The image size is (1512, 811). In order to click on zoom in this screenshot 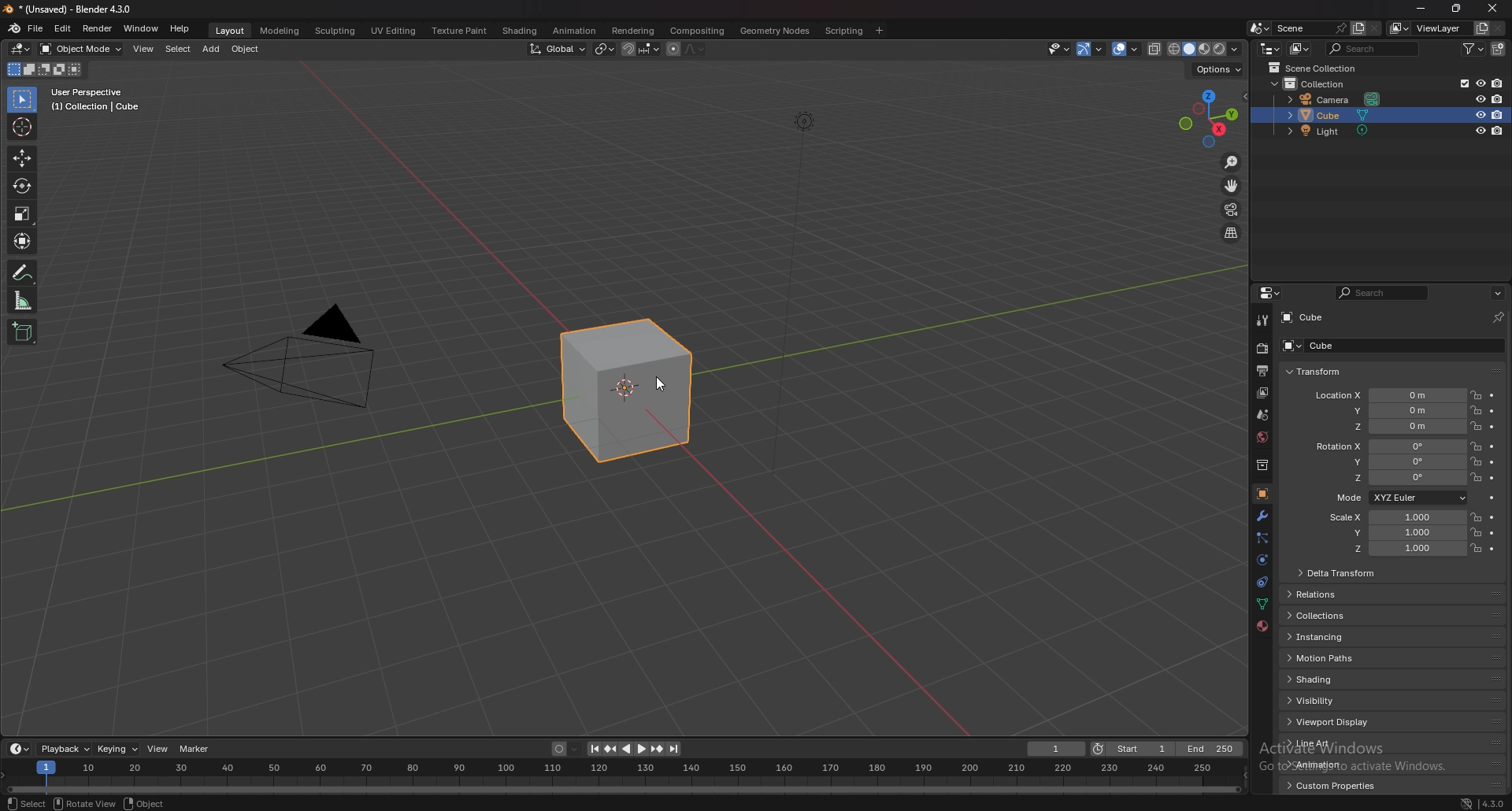, I will do `click(1232, 162)`.